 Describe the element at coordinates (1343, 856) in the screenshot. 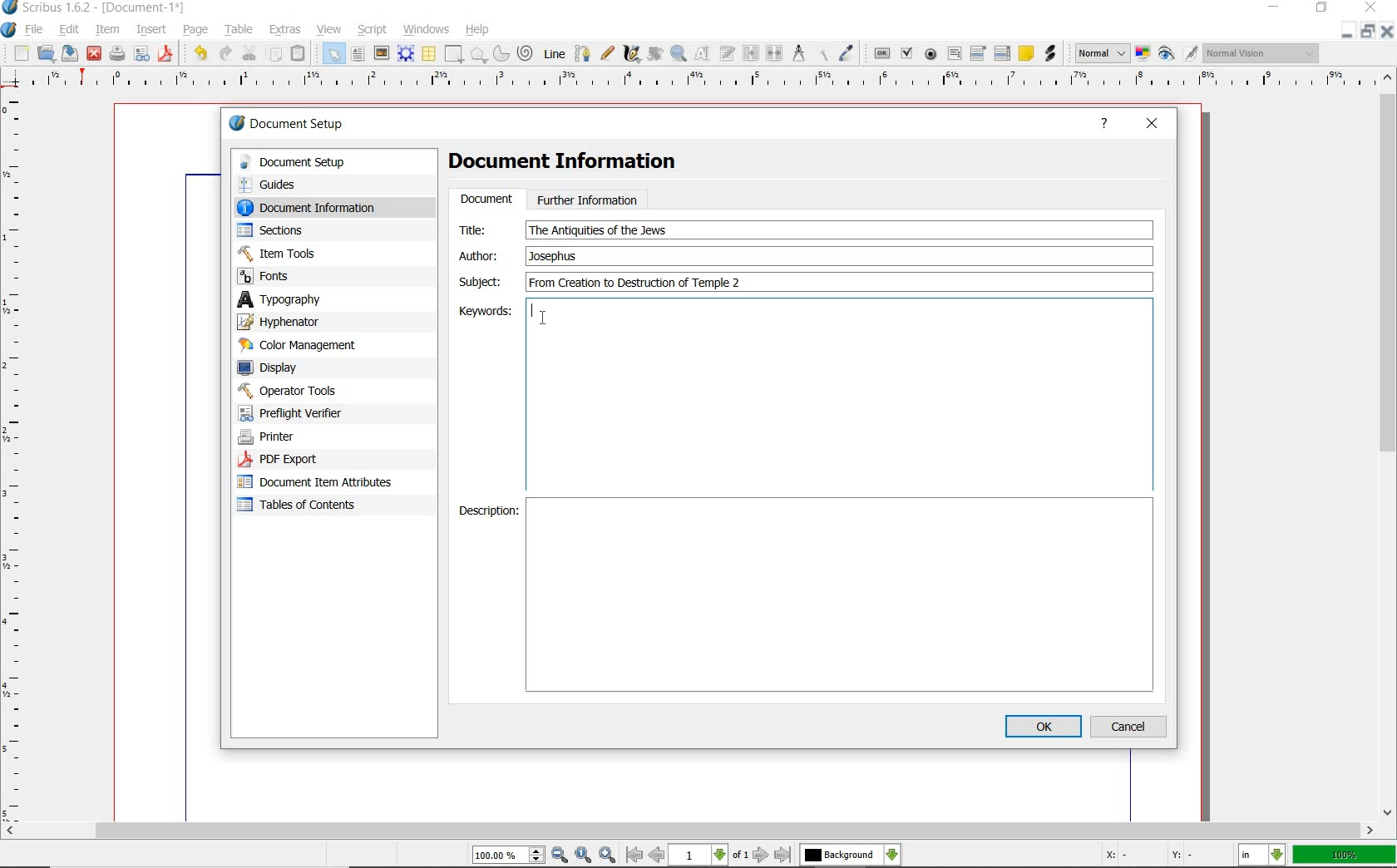

I see `zoom factor` at that location.